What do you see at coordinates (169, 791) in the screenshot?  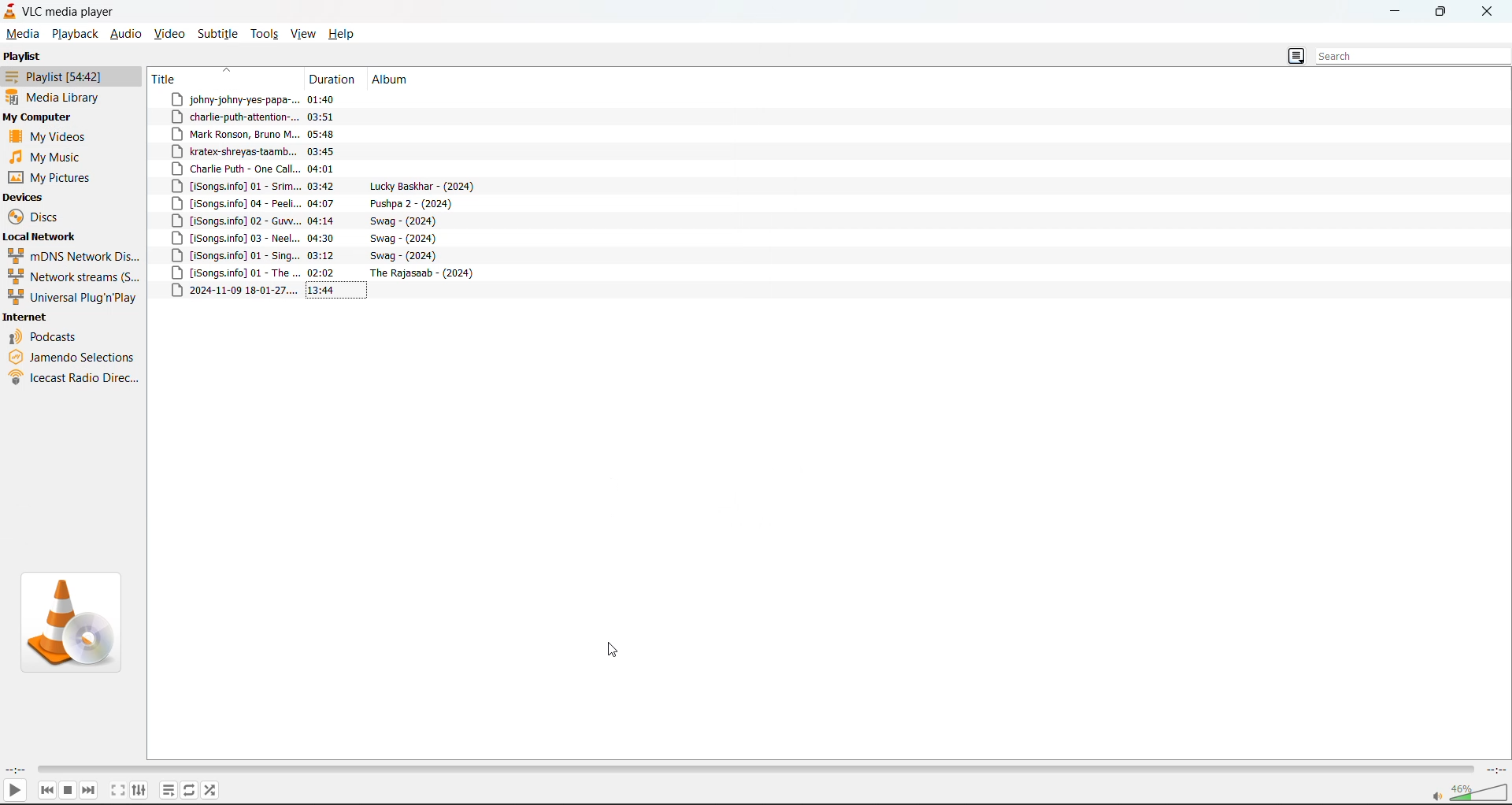 I see `playlist` at bounding box center [169, 791].